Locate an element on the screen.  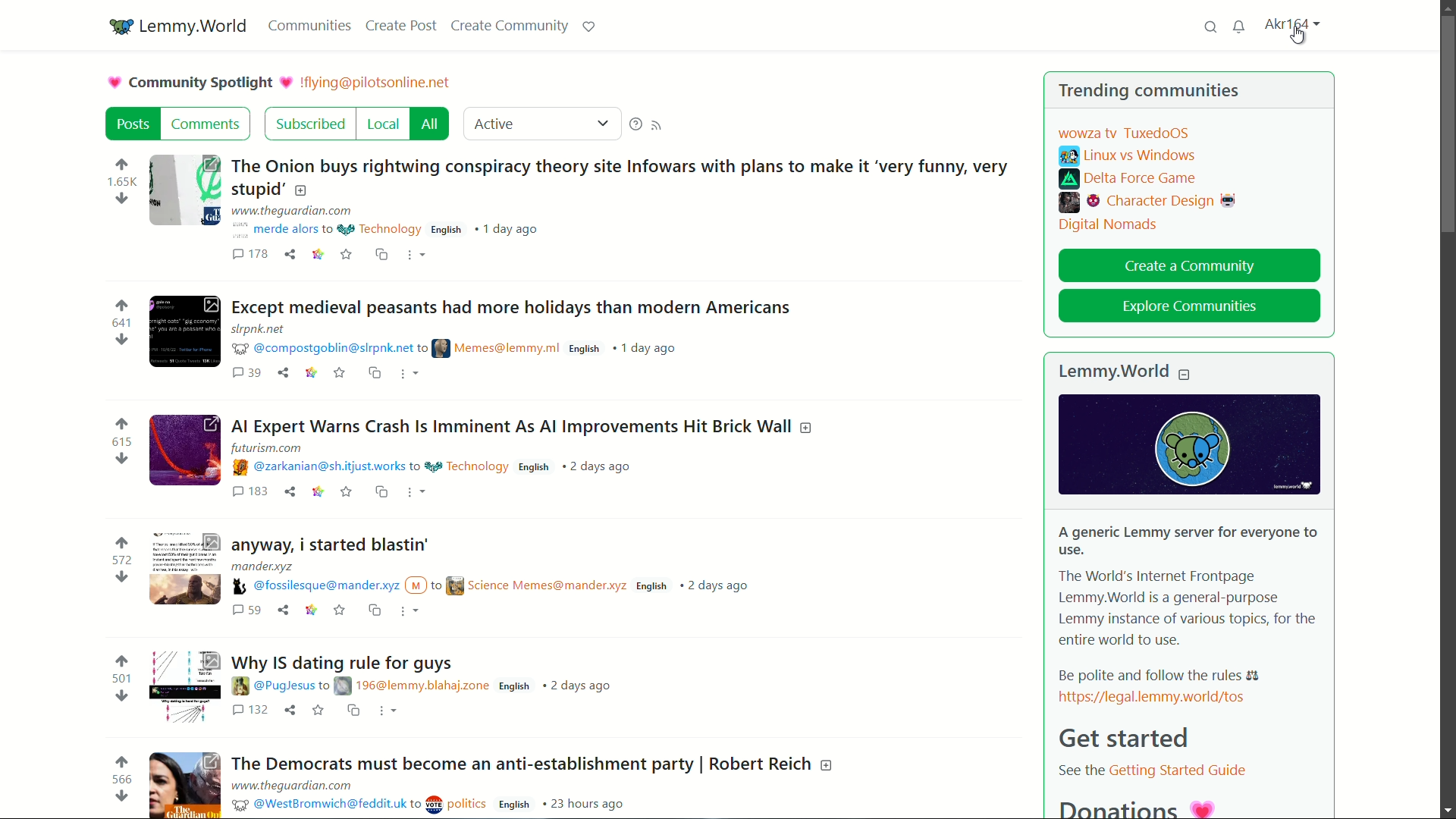
donatiosn is located at coordinates (1133, 806).